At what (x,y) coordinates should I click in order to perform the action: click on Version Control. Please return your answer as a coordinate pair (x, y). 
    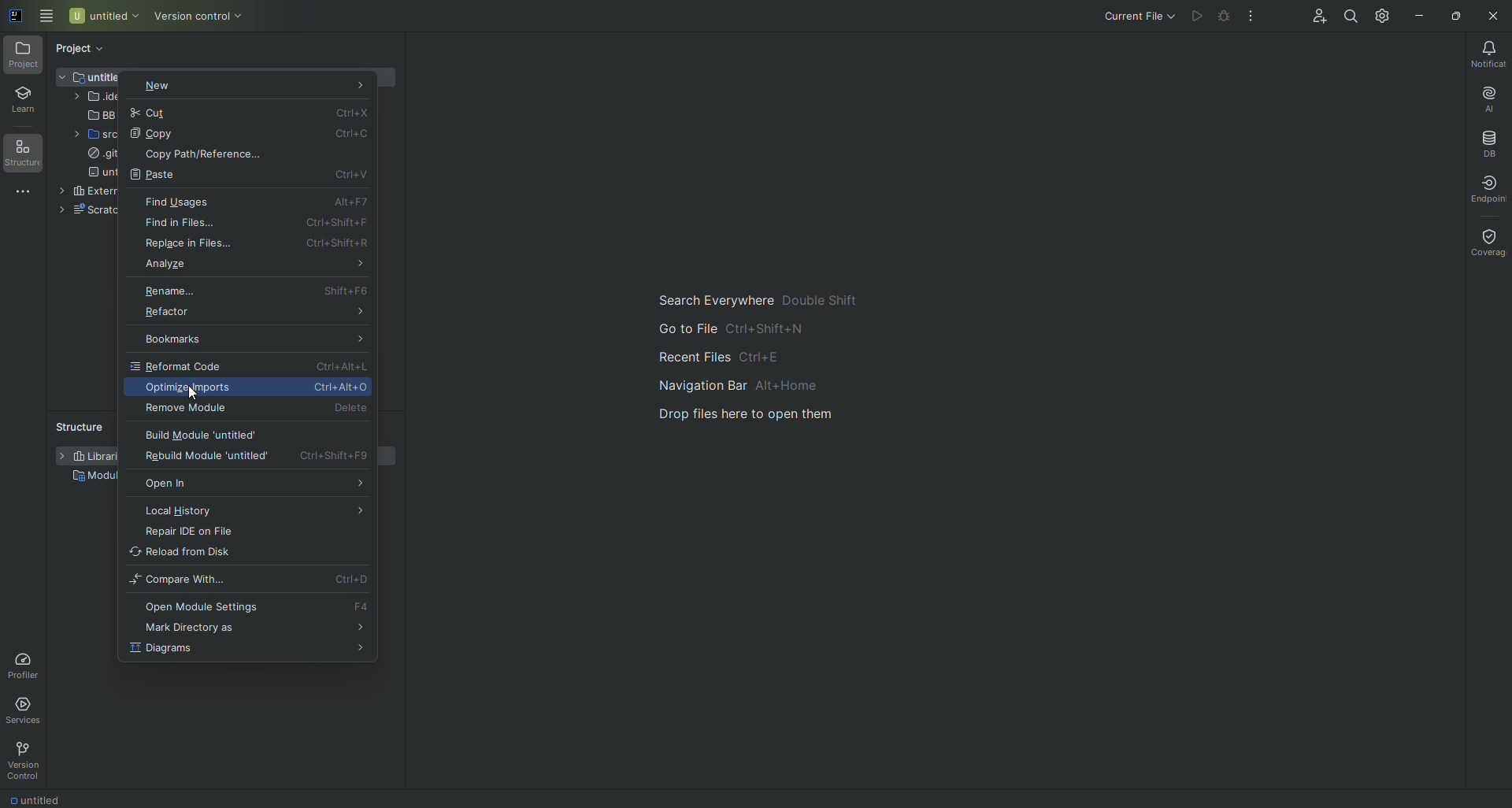
    Looking at the image, I should click on (204, 17).